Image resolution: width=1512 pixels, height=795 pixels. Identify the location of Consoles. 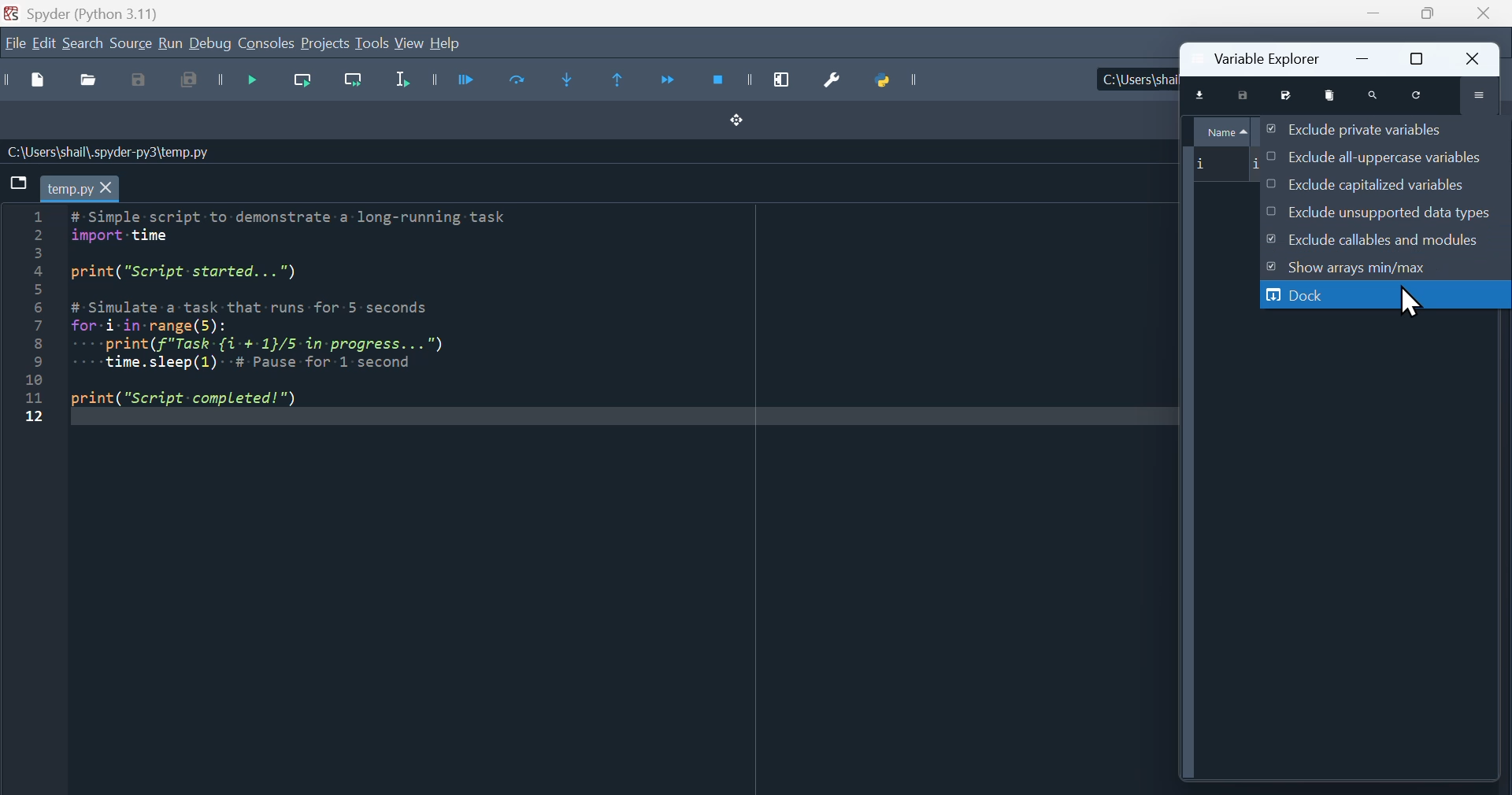
(266, 44).